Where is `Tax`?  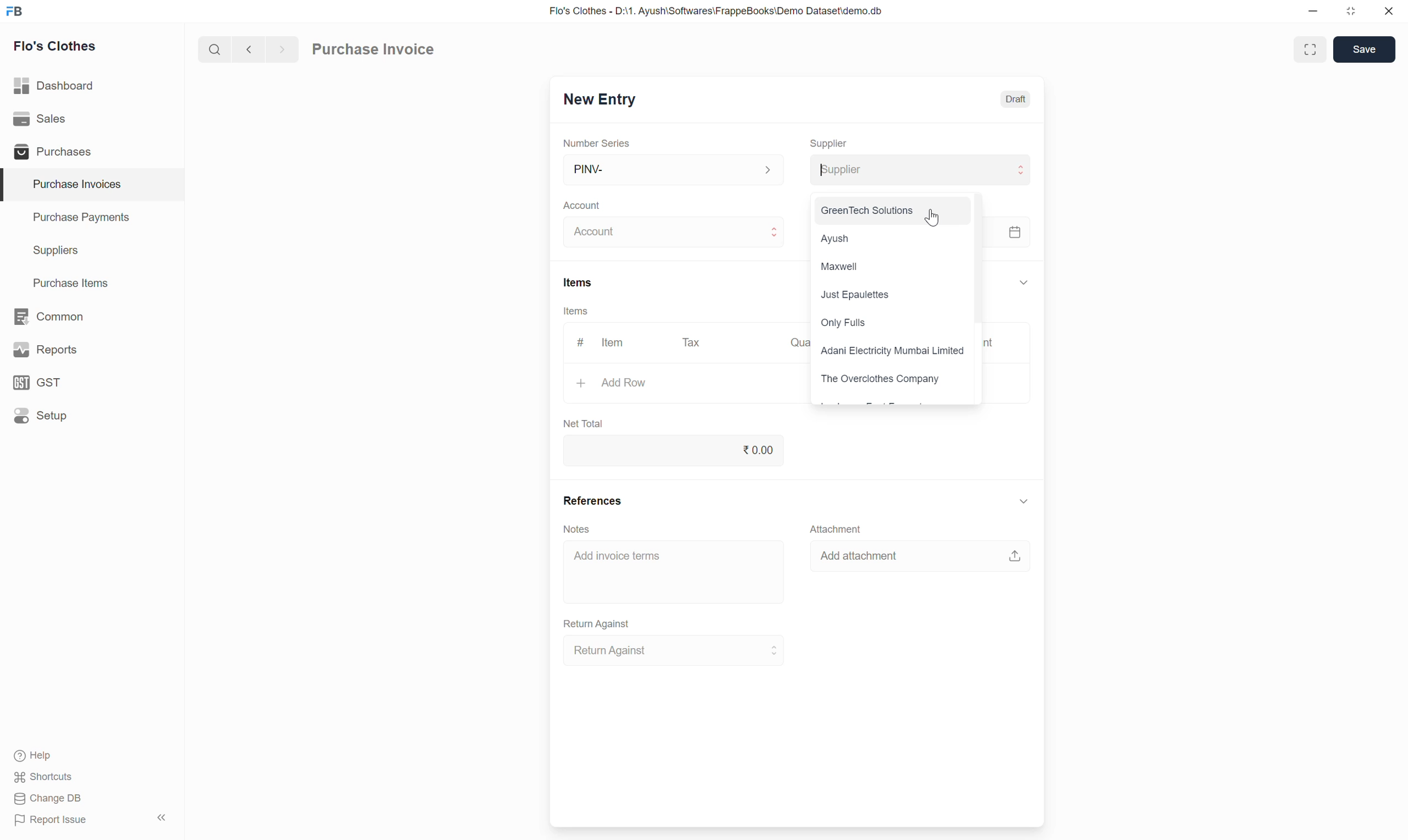 Tax is located at coordinates (692, 342).